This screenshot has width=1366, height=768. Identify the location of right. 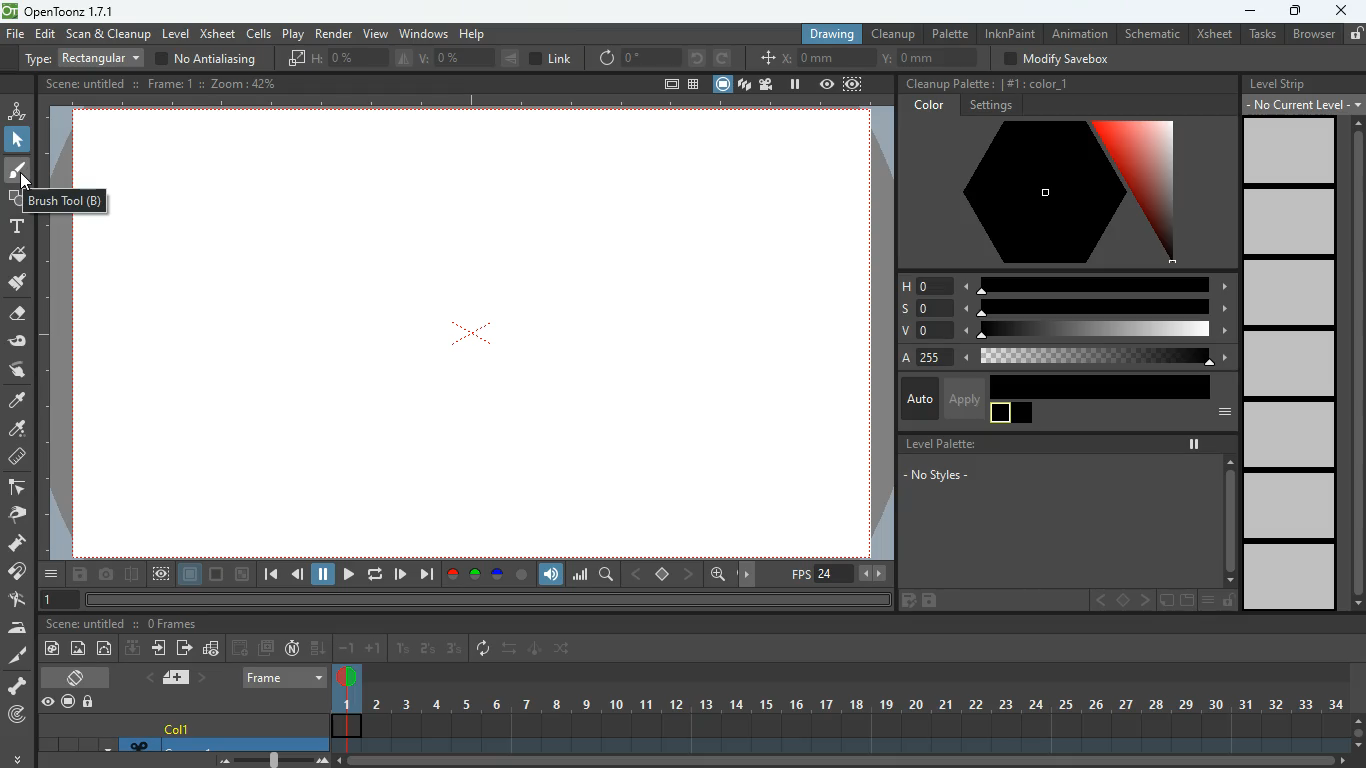
(1144, 601).